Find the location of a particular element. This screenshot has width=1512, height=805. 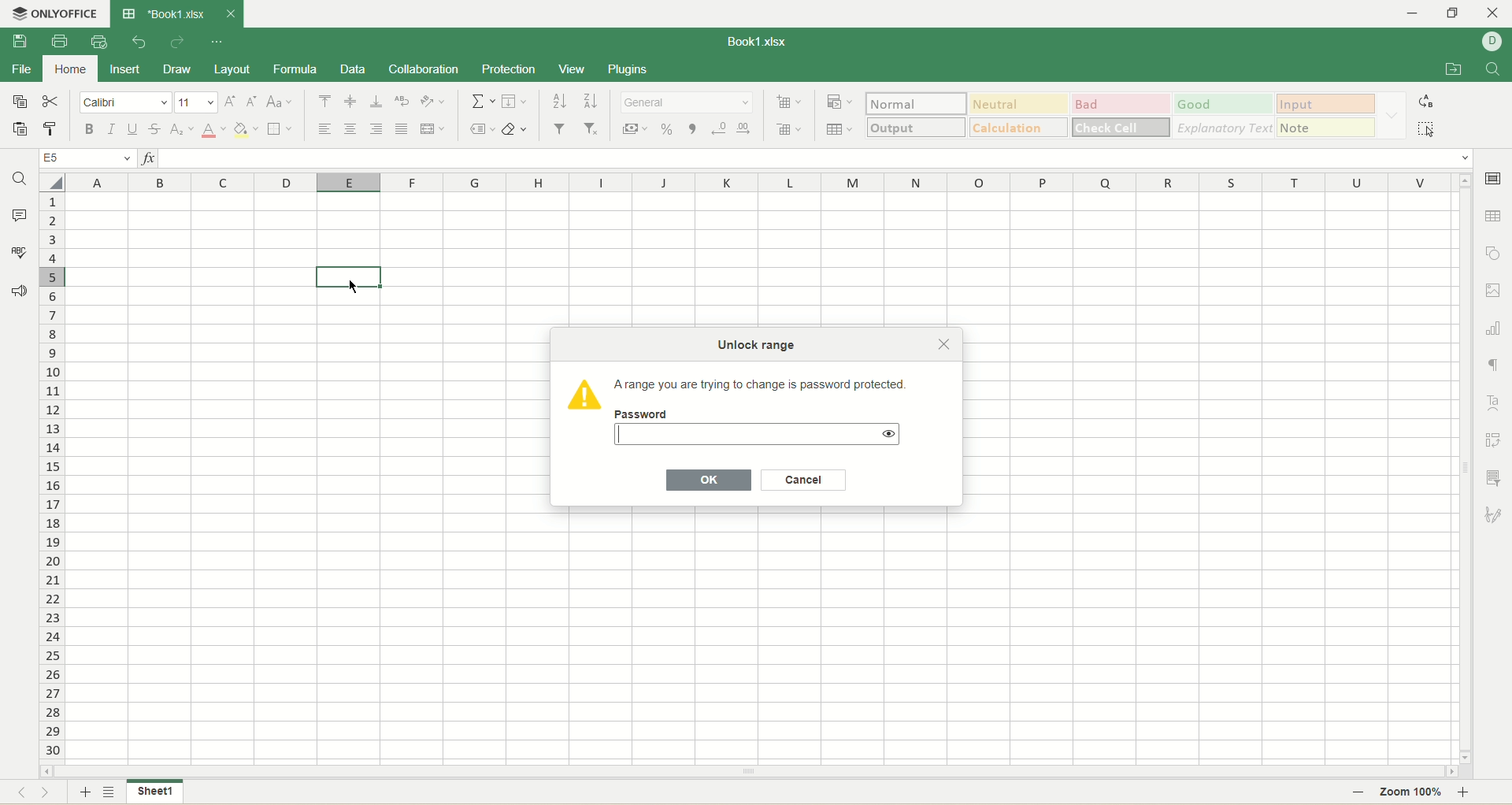

print is located at coordinates (61, 43).